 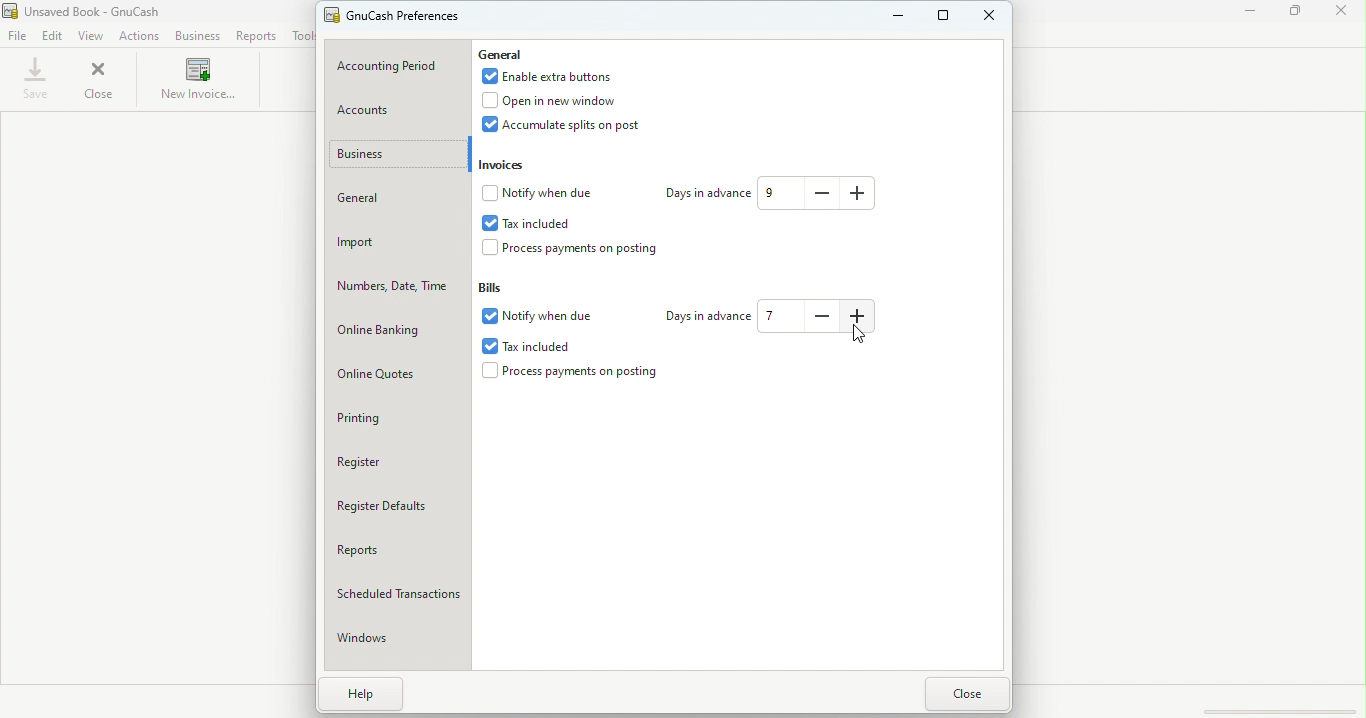 I want to click on Bills, so click(x=498, y=289).